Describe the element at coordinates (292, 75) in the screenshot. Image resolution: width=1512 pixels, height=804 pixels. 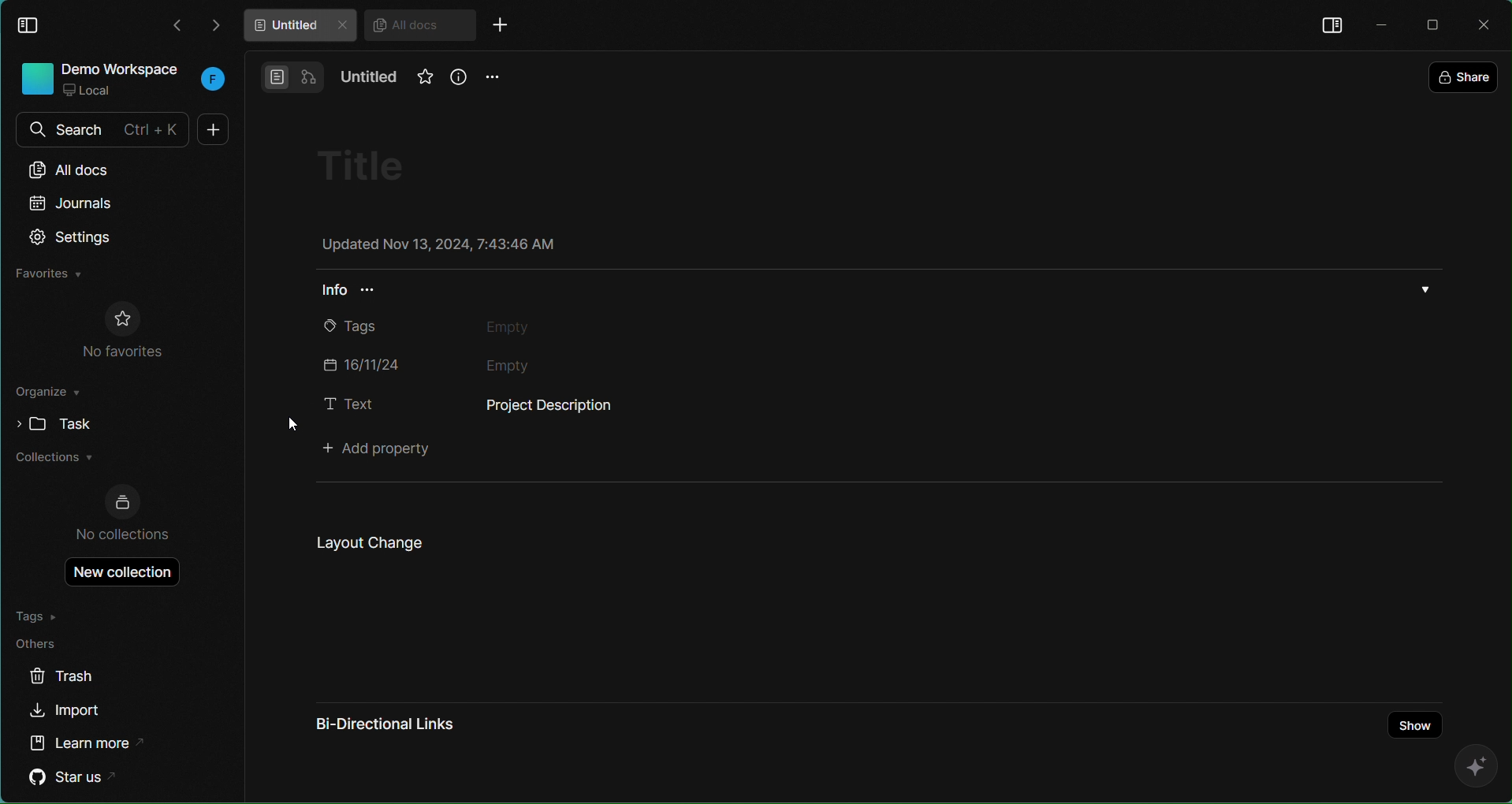
I see `button` at that location.